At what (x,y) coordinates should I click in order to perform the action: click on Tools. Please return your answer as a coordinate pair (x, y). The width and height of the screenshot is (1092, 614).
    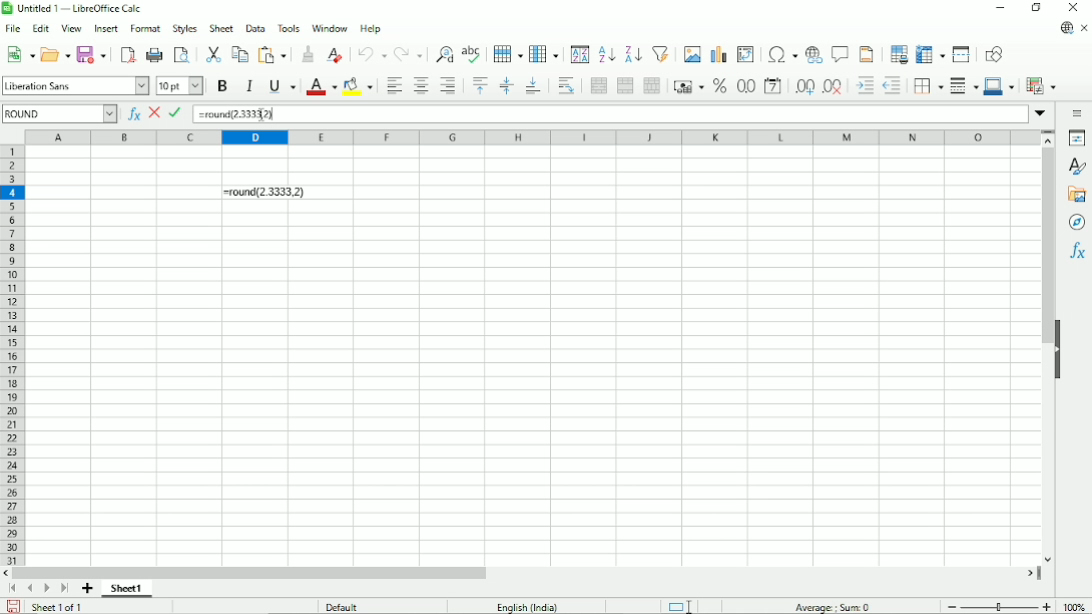
    Looking at the image, I should click on (289, 28).